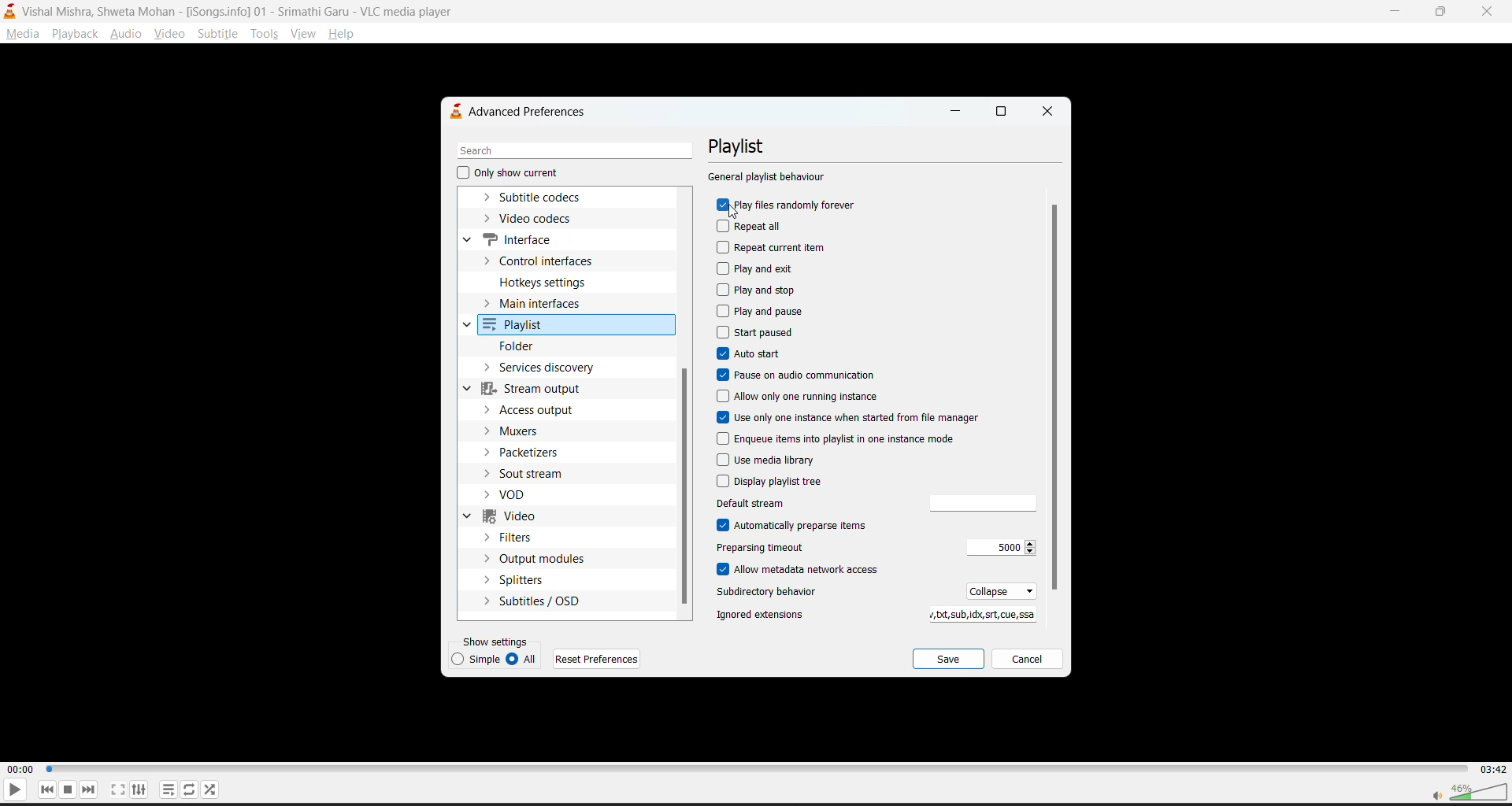 This screenshot has width=1512, height=806. What do you see at coordinates (65, 788) in the screenshot?
I see `stop` at bounding box center [65, 788].